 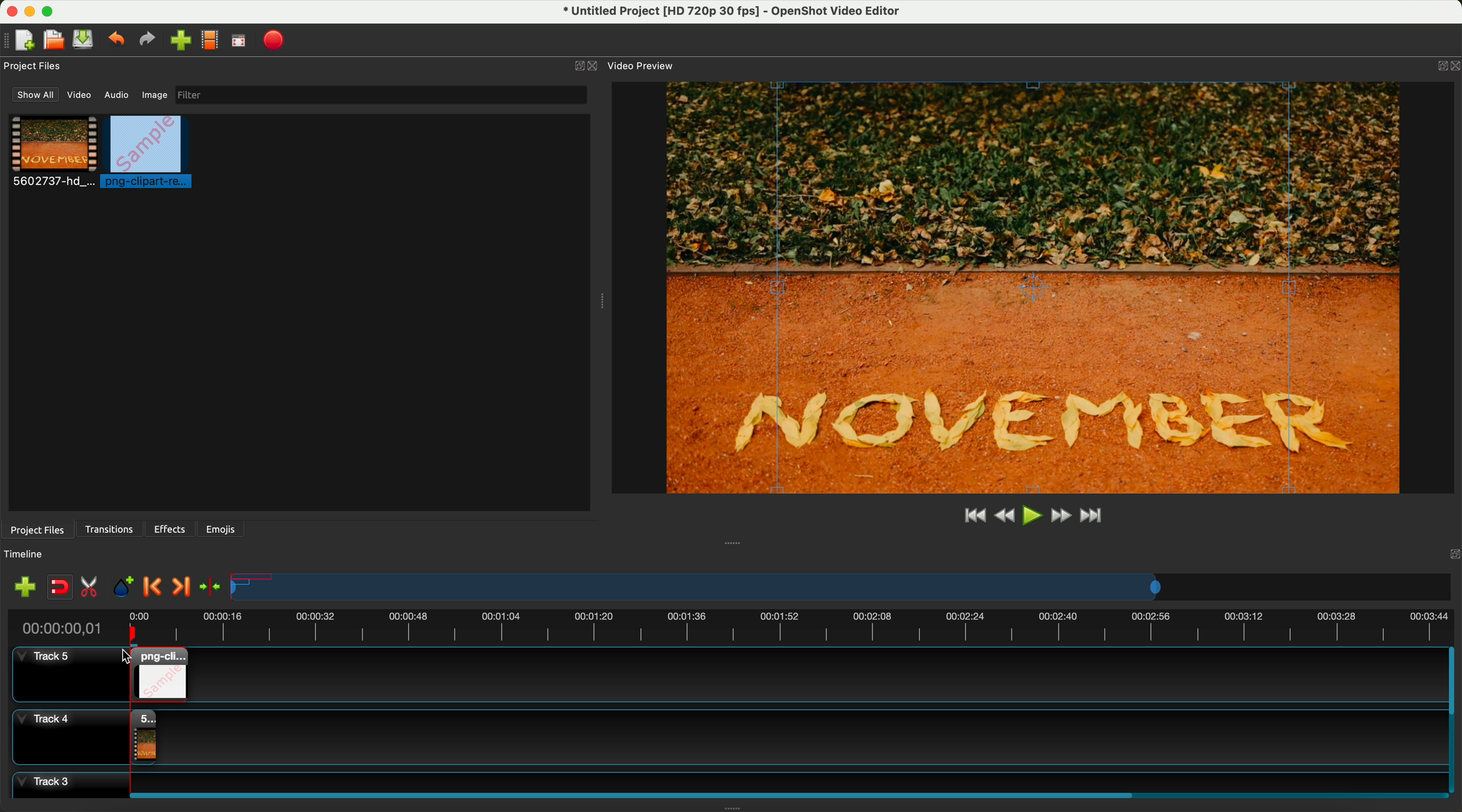 What do you see at coordinates (733, 542) in the screenshot?
I see `Window Expanding` at bounding box center [733, 542].